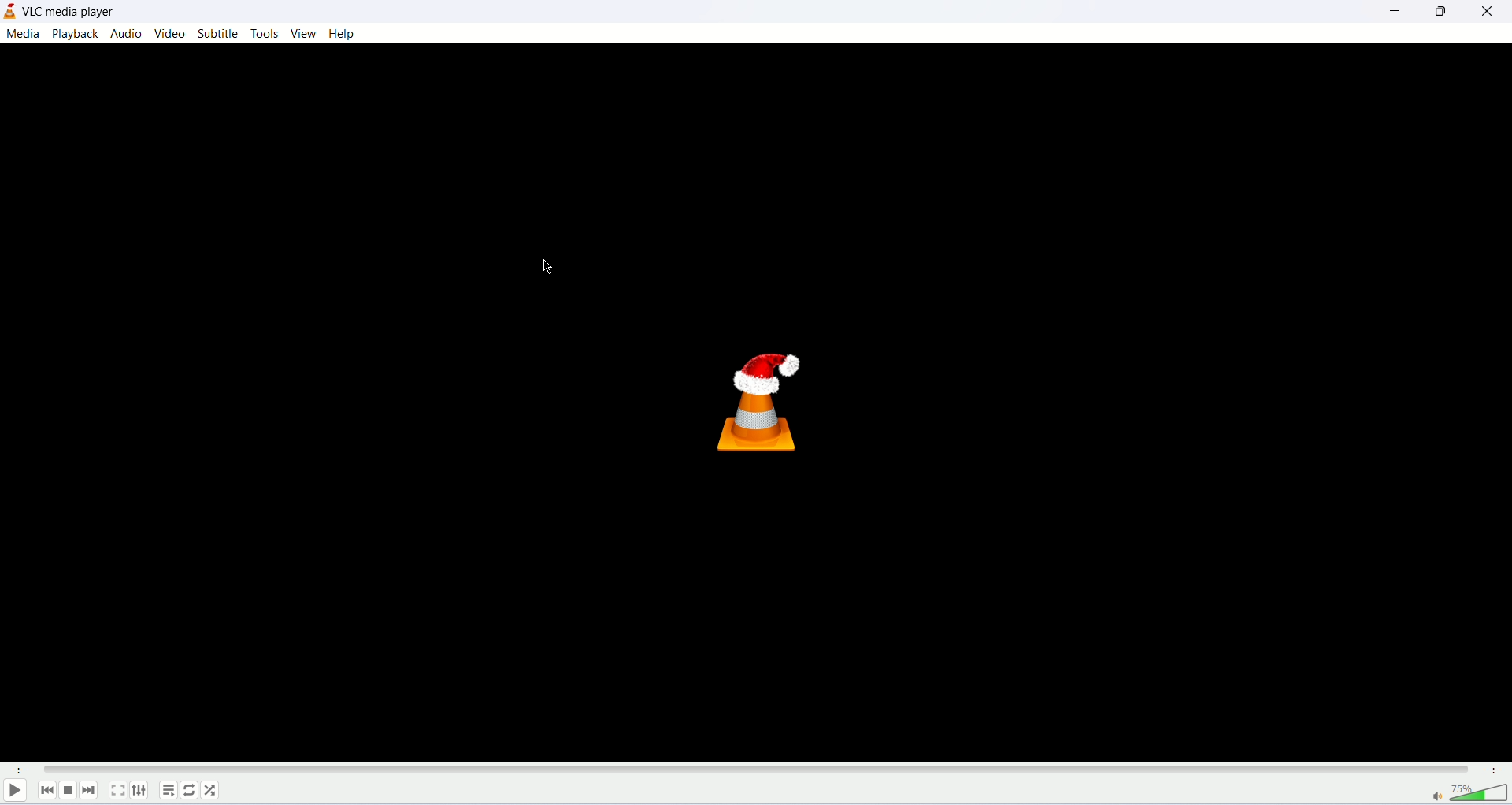 The height and width of the screenshot is (805, 1512). Describe the element at coordinates (126, 34) in the screenshot. I see `audio` at that location.